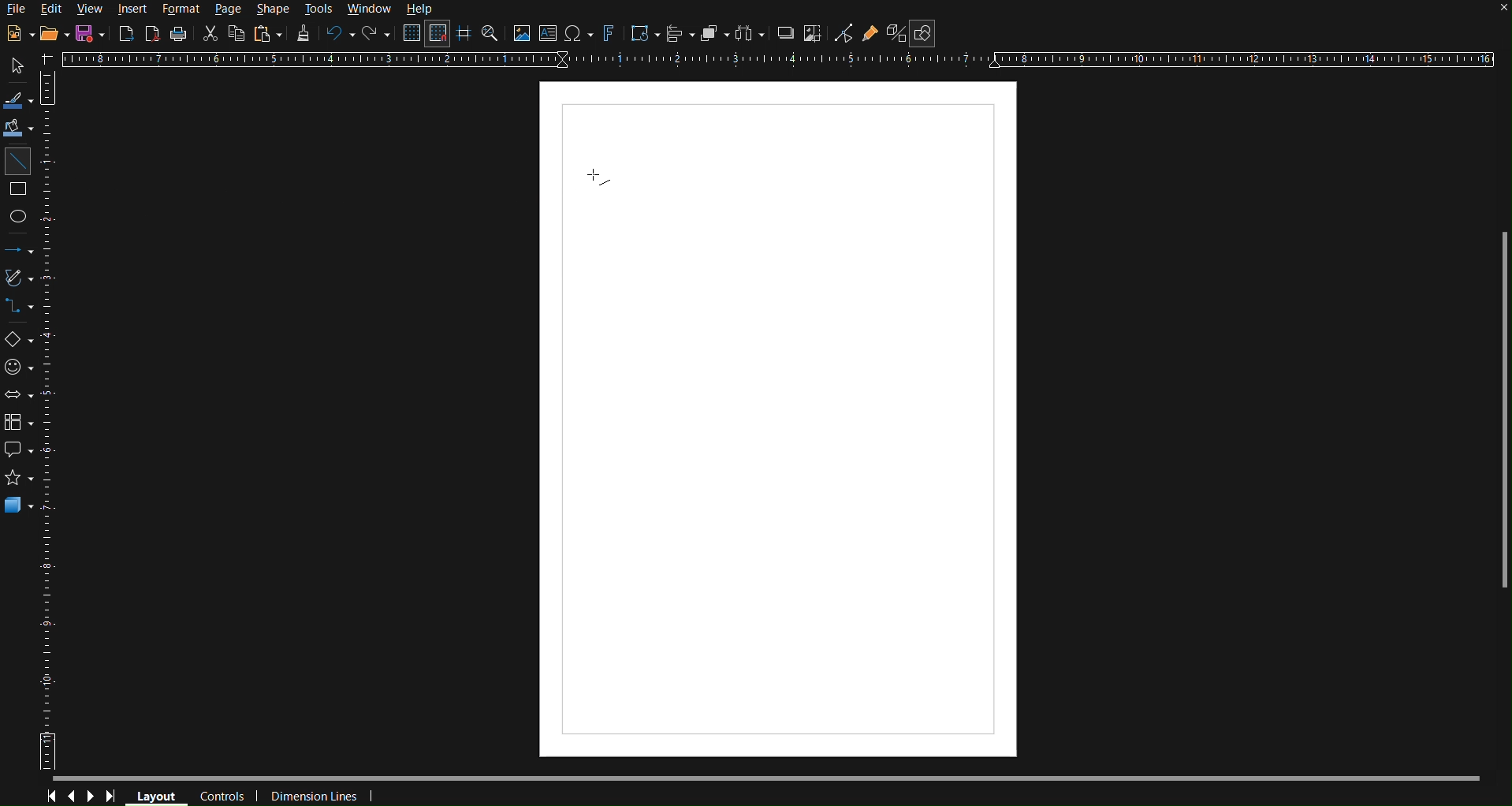 This screenshot has height=806, width=1512. I want to click on Print, so click(181, 34).